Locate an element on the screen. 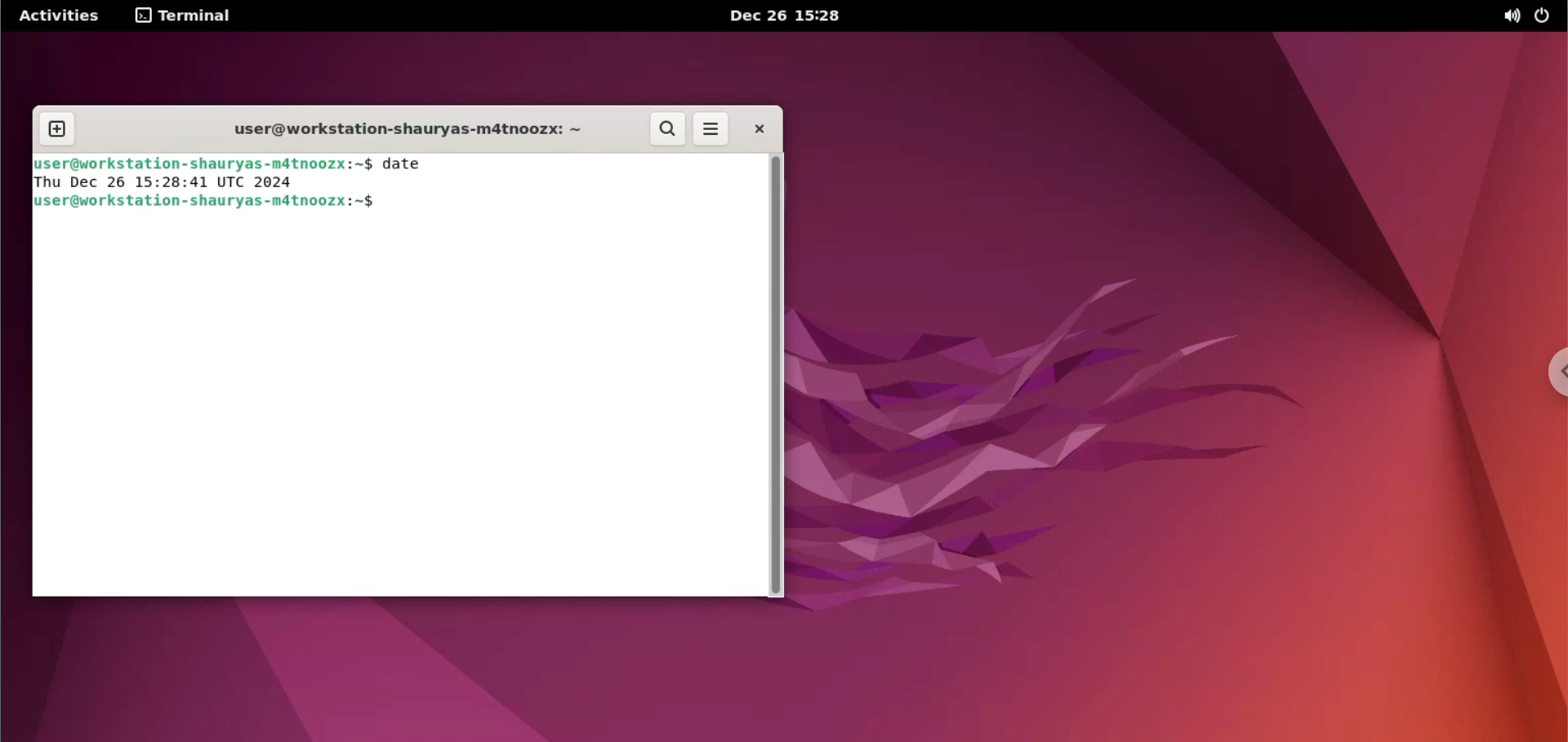 The image size is (1568, 742). chrome options is located at coordinates (1549, 372).